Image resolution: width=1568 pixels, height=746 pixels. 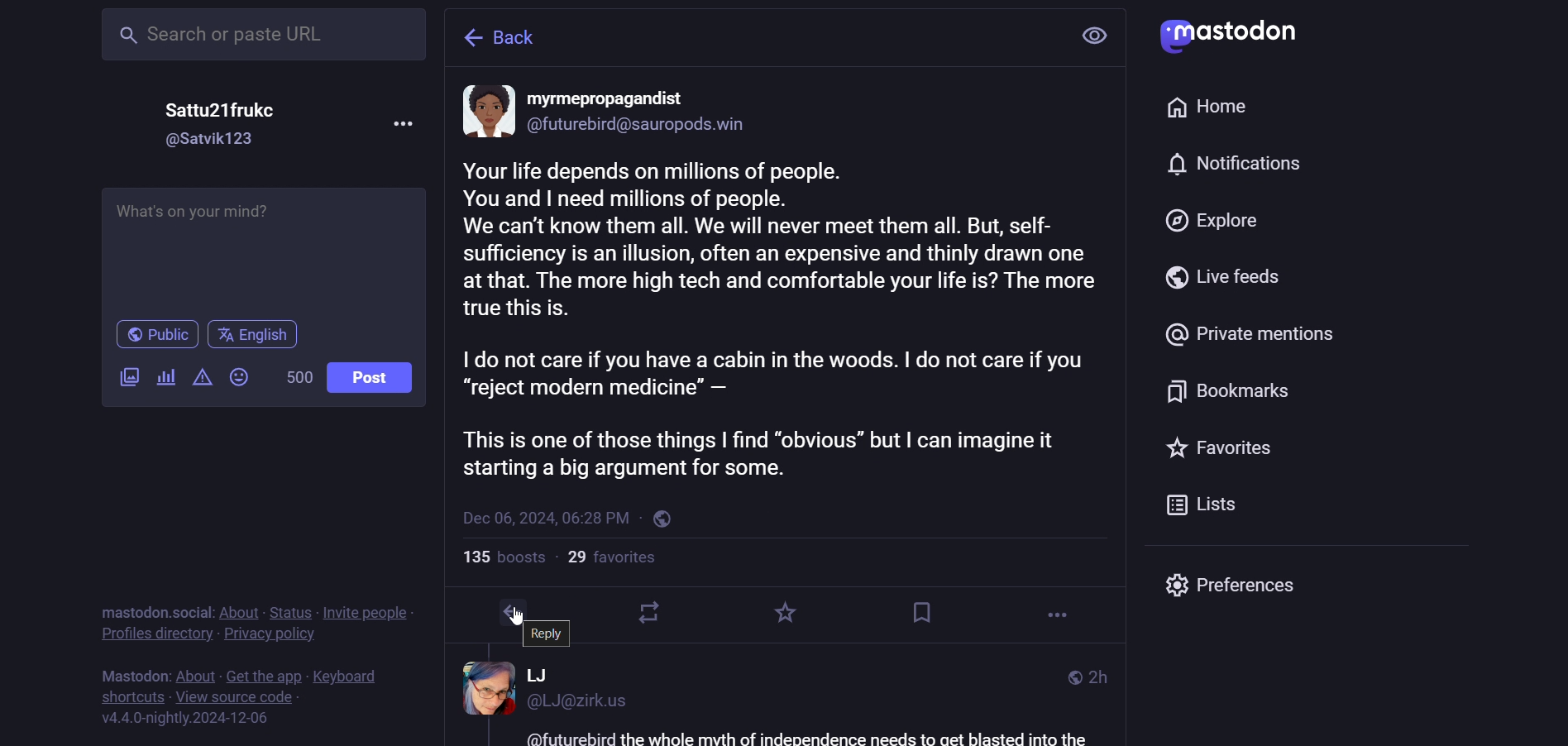 What do you see at coordinates (917, 610) in the screenshot?
I see `bookmark` at bounding box center [917, 610].